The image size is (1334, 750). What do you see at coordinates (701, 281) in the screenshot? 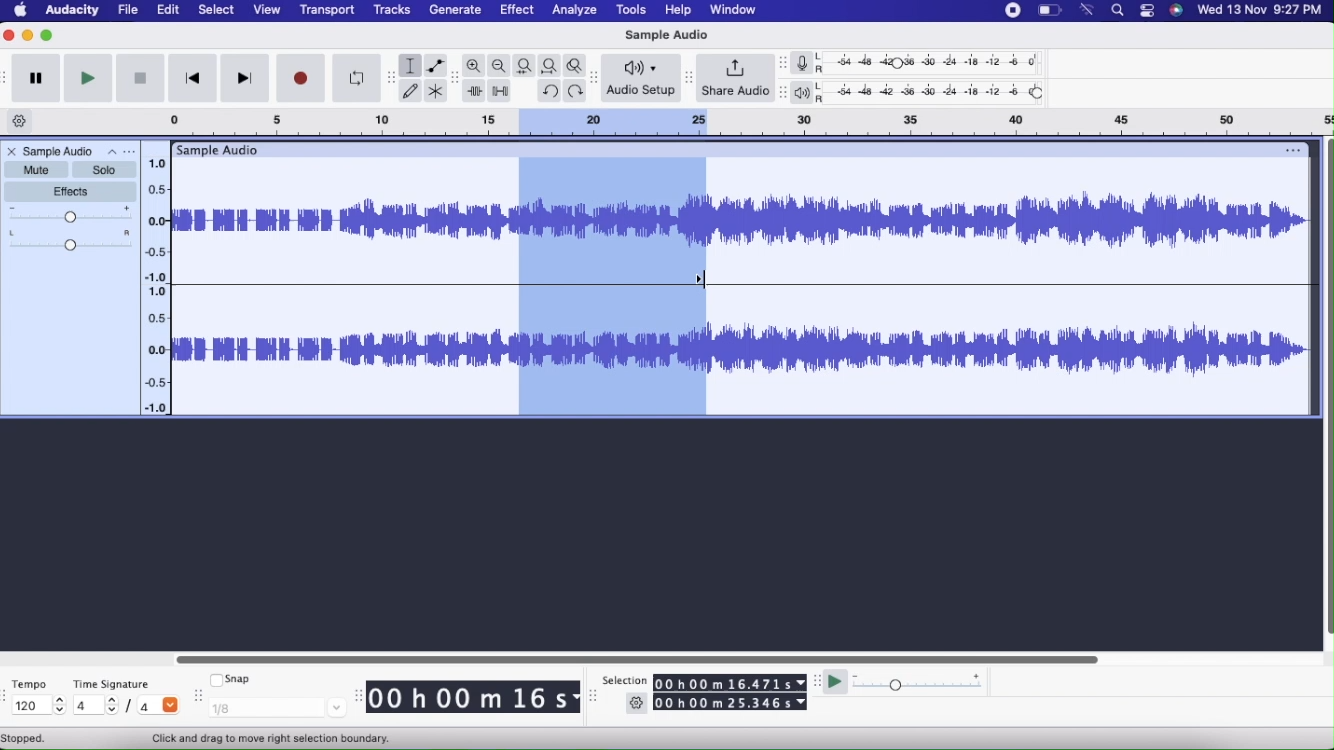
I see `cursor` at bounding box center [701, 281].